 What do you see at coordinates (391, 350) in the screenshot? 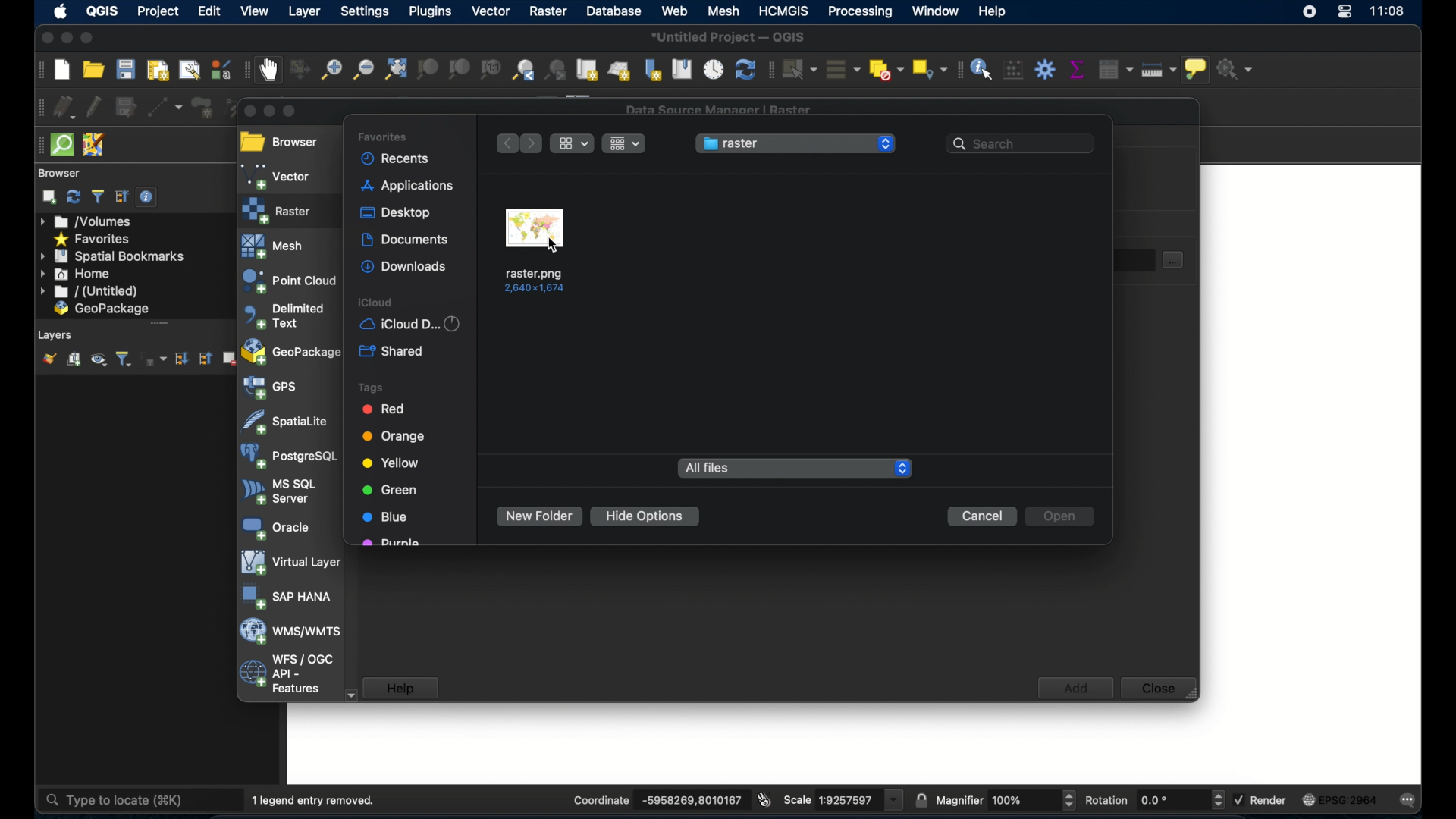
I see `shared` at bounding box center [391, 350].